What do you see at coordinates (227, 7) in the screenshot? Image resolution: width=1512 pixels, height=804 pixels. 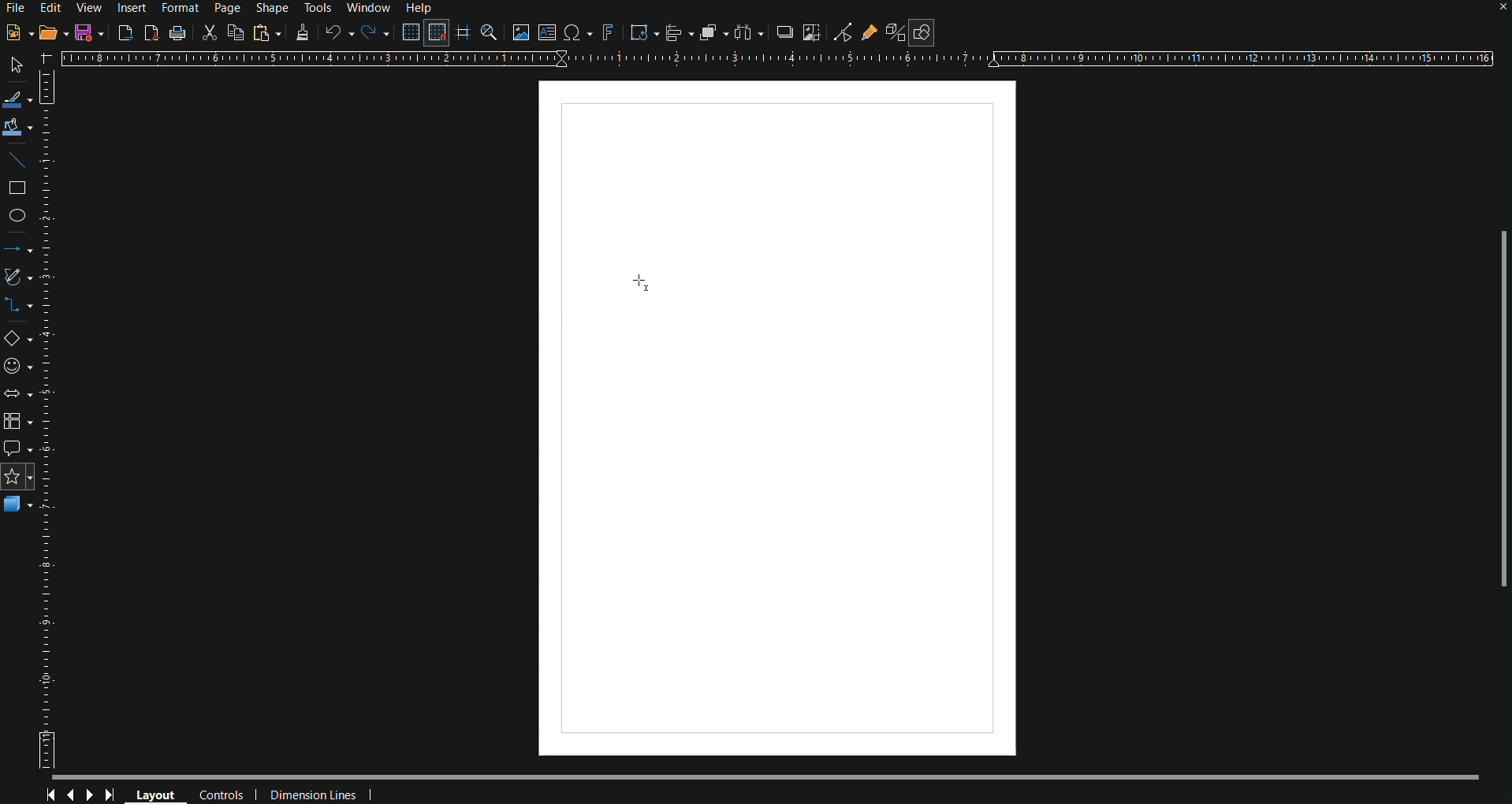 I see `Page` at bounding box center [227, 7].